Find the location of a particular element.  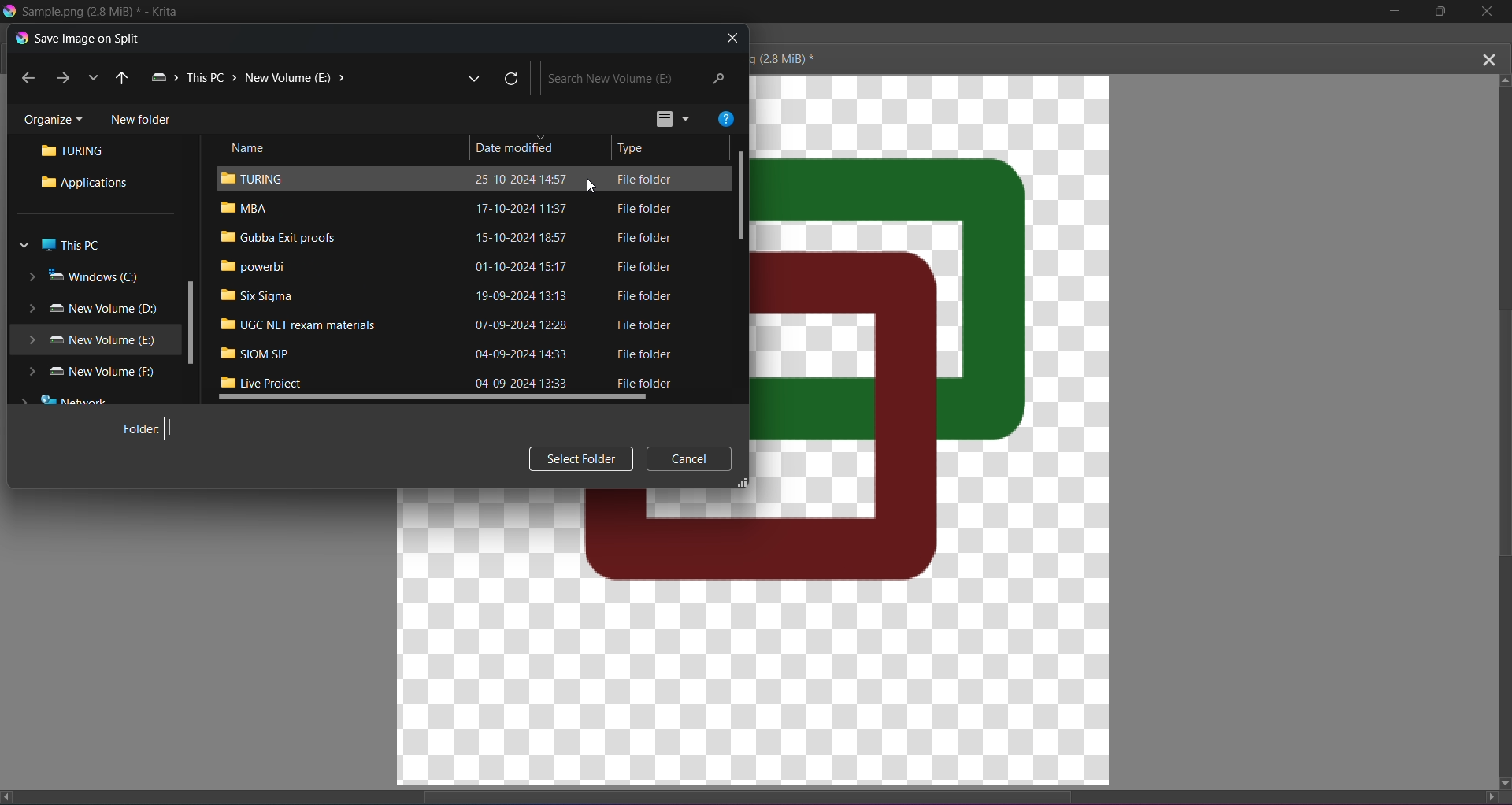

Scrollbar is located at coordinates (737, 199).